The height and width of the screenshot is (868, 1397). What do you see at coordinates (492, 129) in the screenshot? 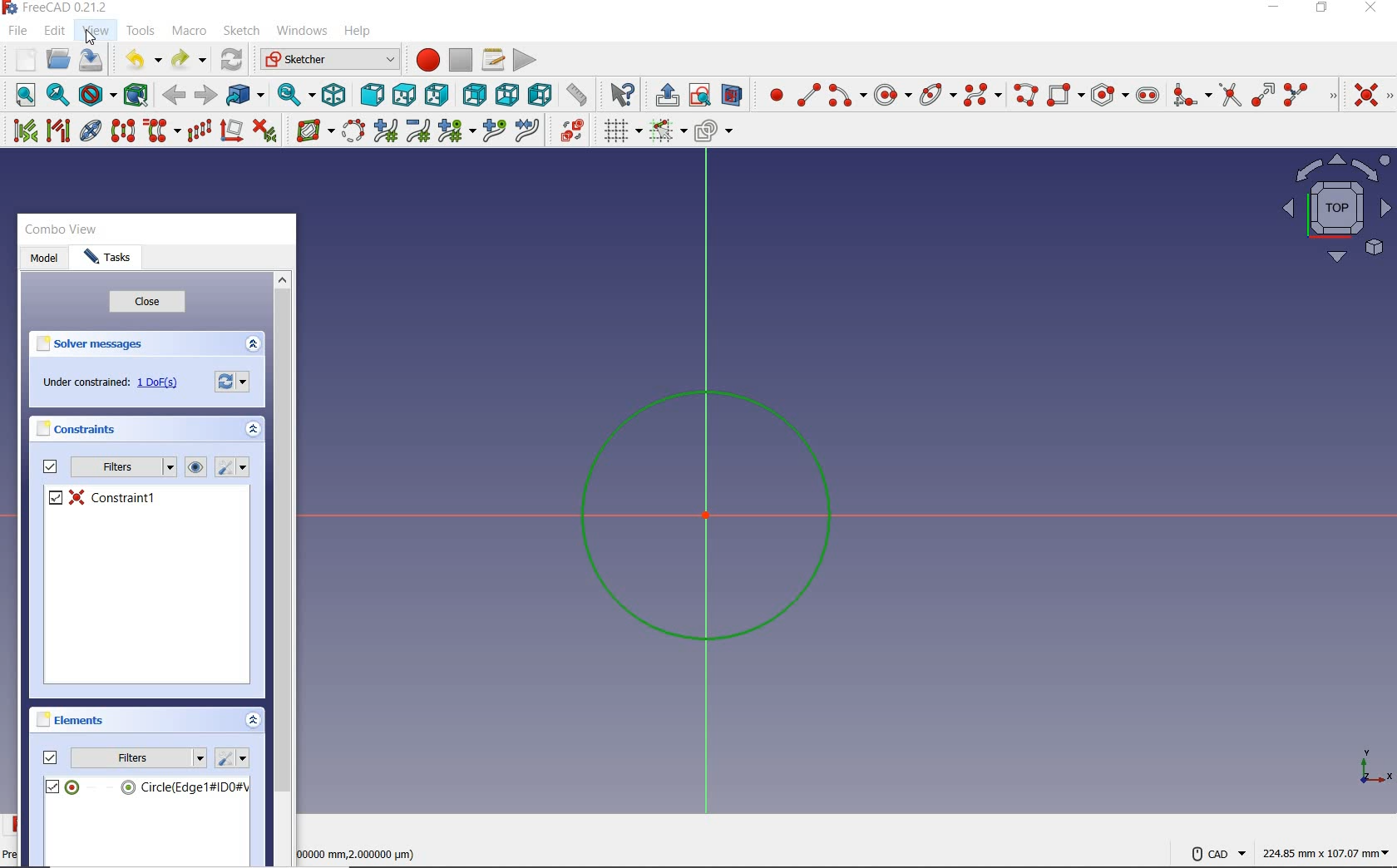
I see `insert knot` at bounding box center [492, 129].